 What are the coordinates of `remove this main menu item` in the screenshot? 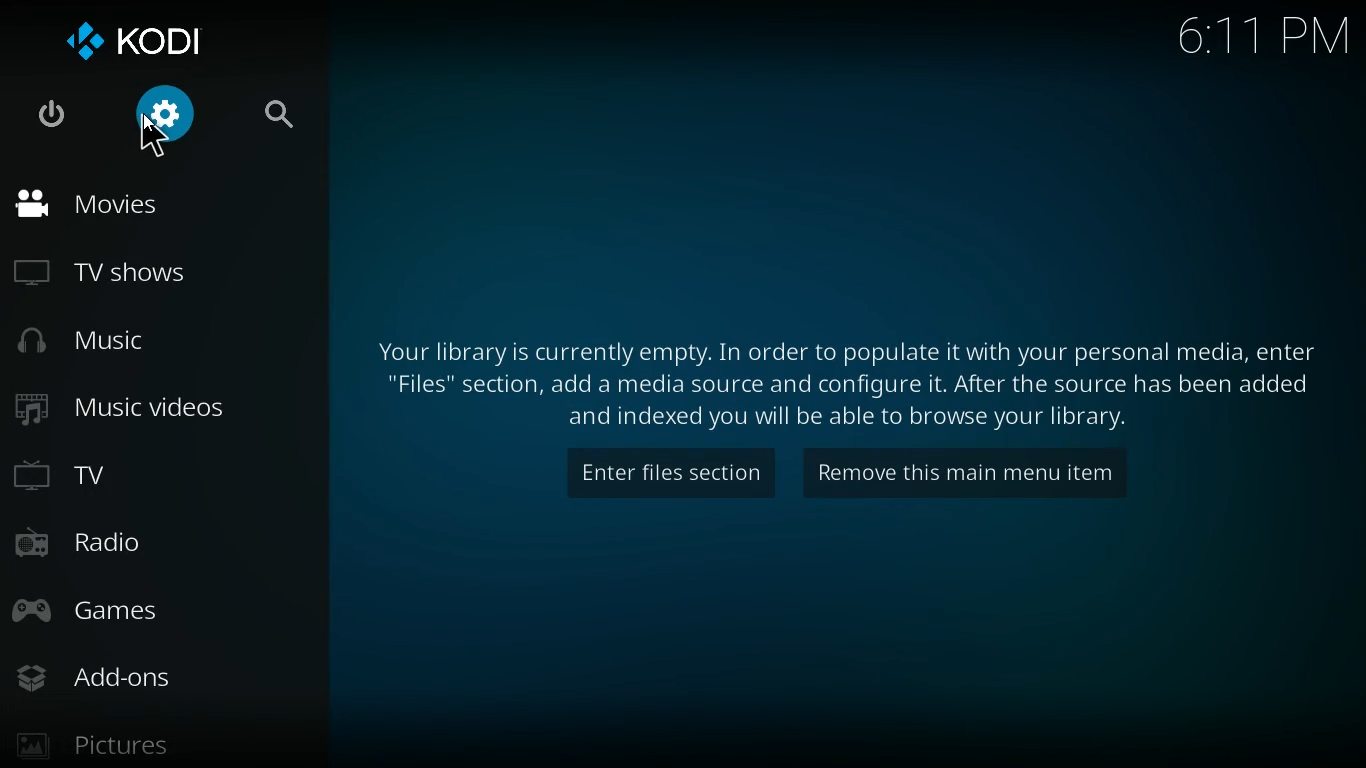 It's located at (982, 473).